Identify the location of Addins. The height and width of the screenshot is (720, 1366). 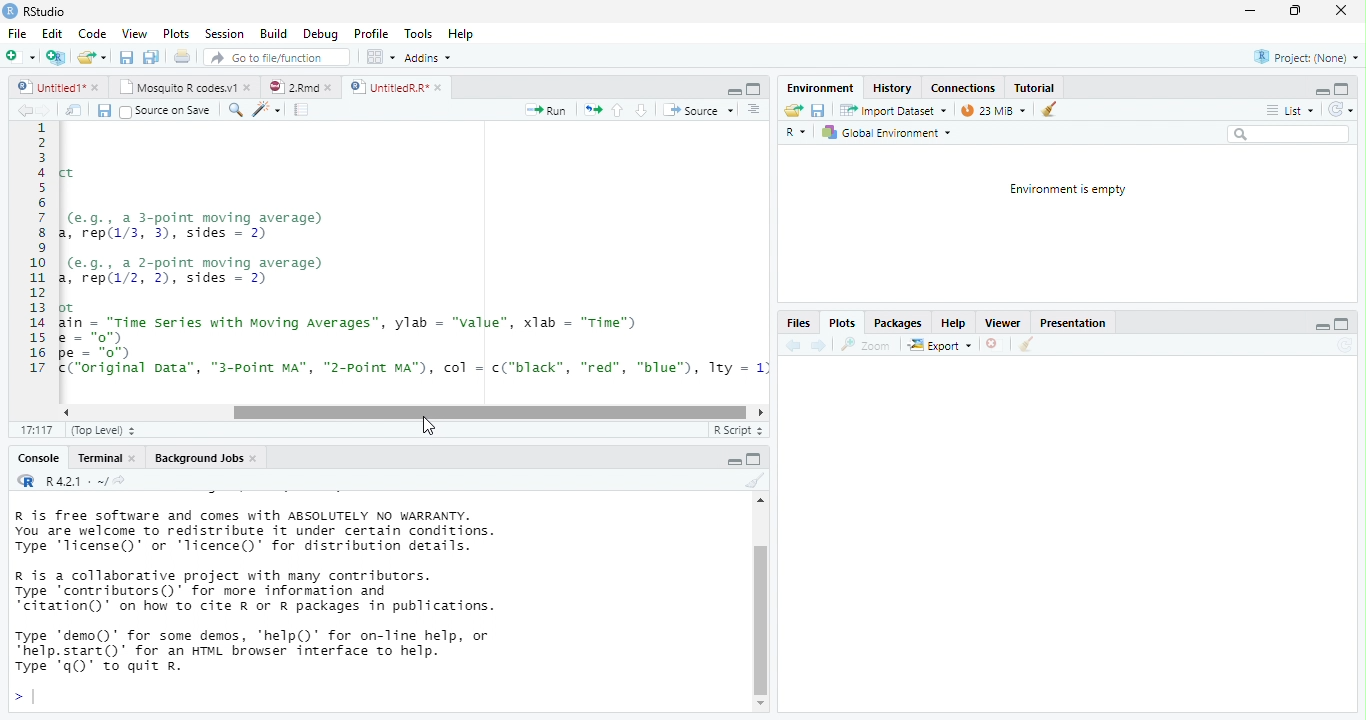
(428, 58).